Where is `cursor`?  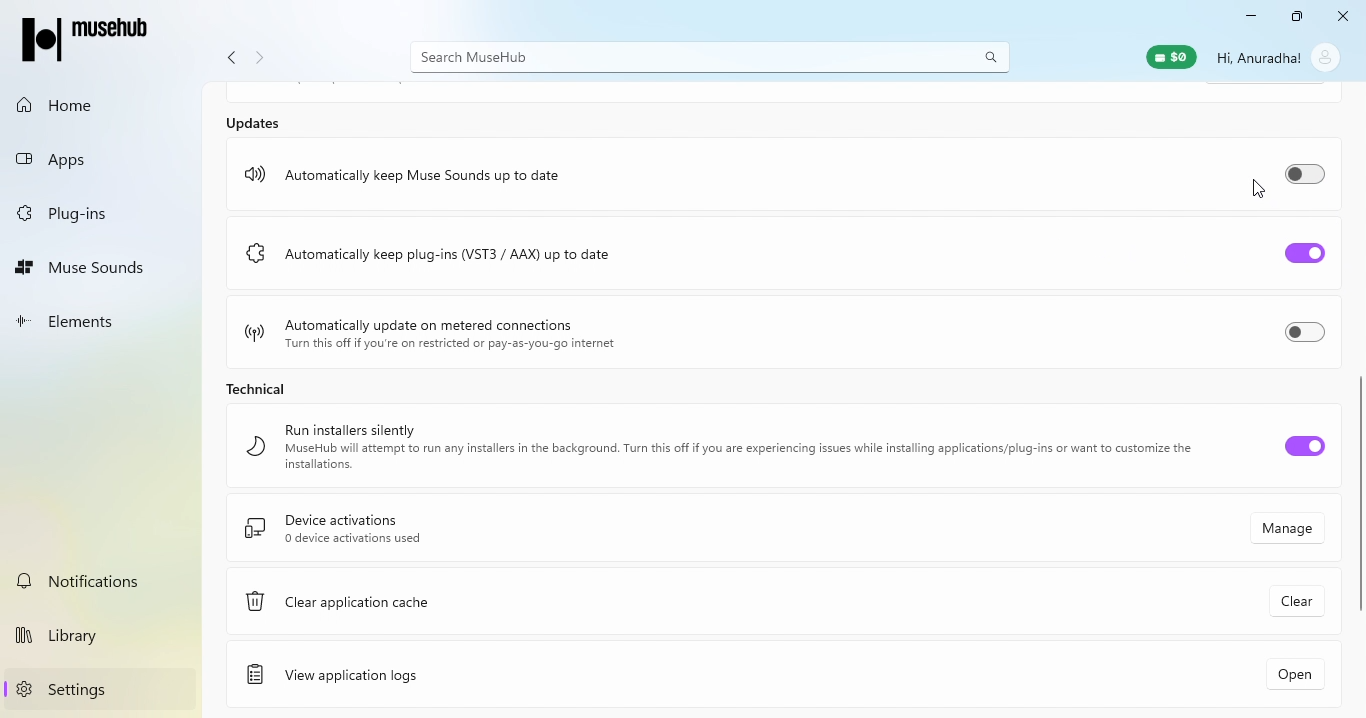 cursor is located at coordinates (1255, 189).